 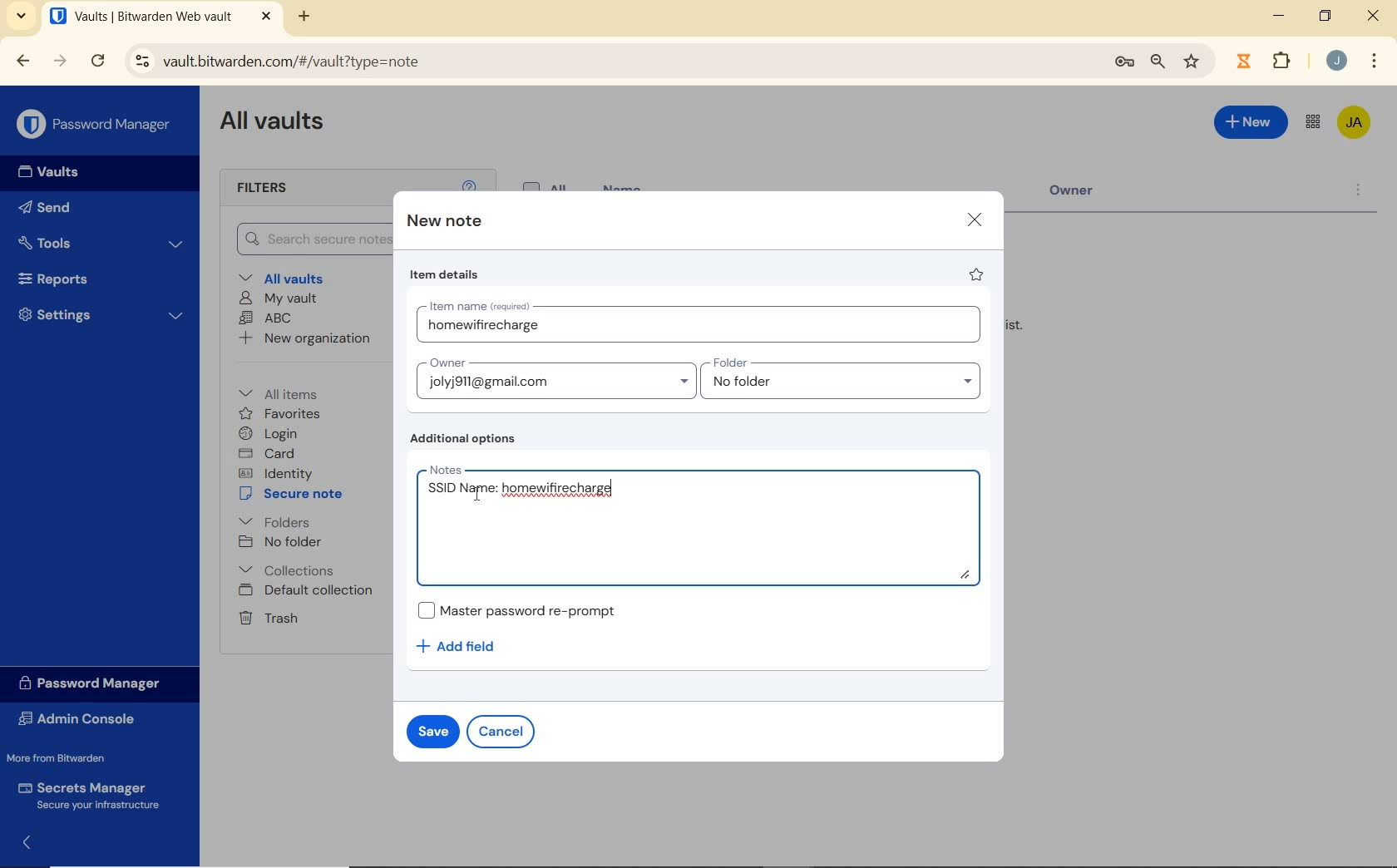 What do you see at coordinates (1251, 126) in the screenshot?
I see `New` at bounding box center [1251, 126].